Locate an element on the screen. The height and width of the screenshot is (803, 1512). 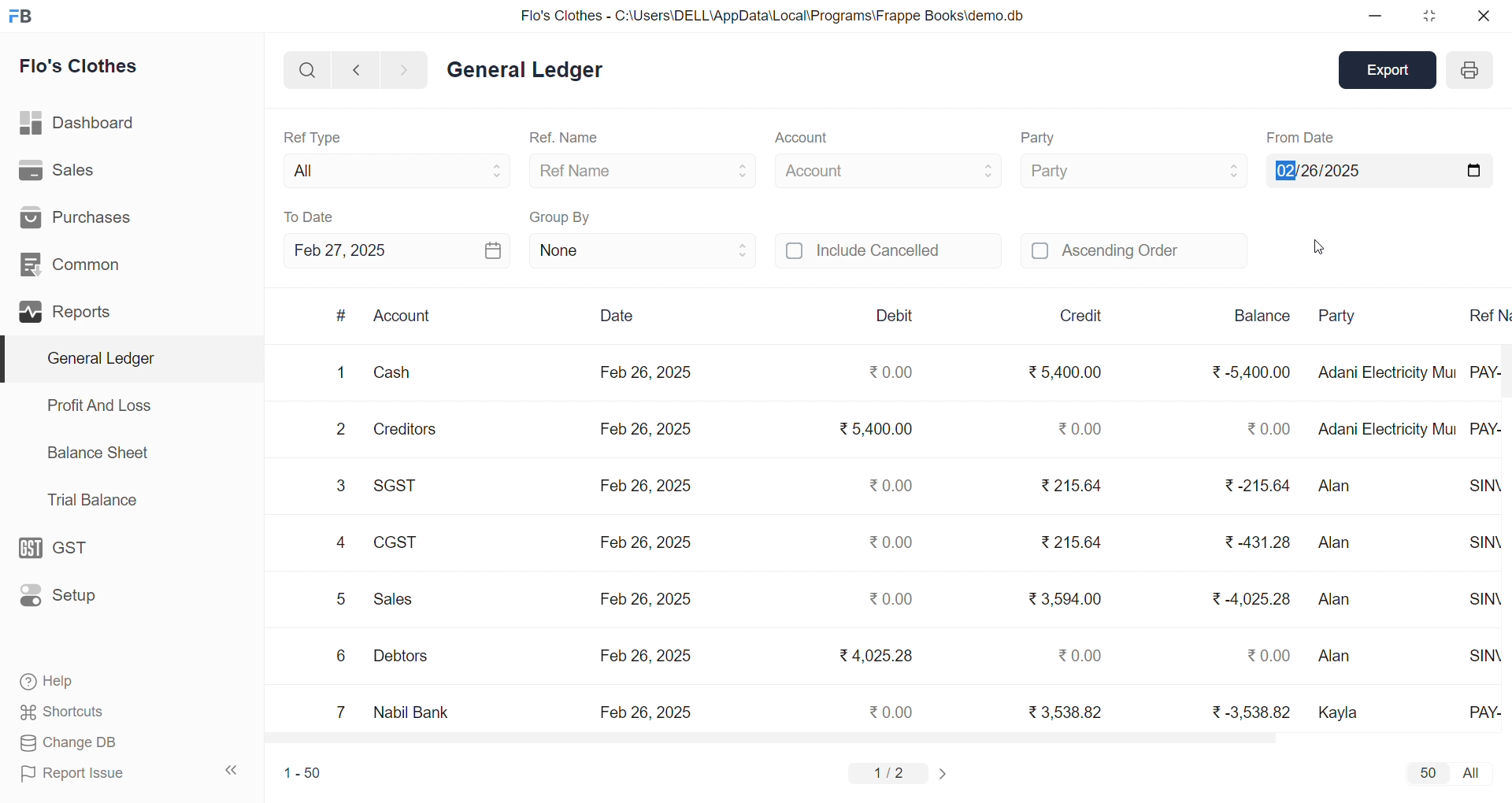
SGST is located at coordinates (400, 484).